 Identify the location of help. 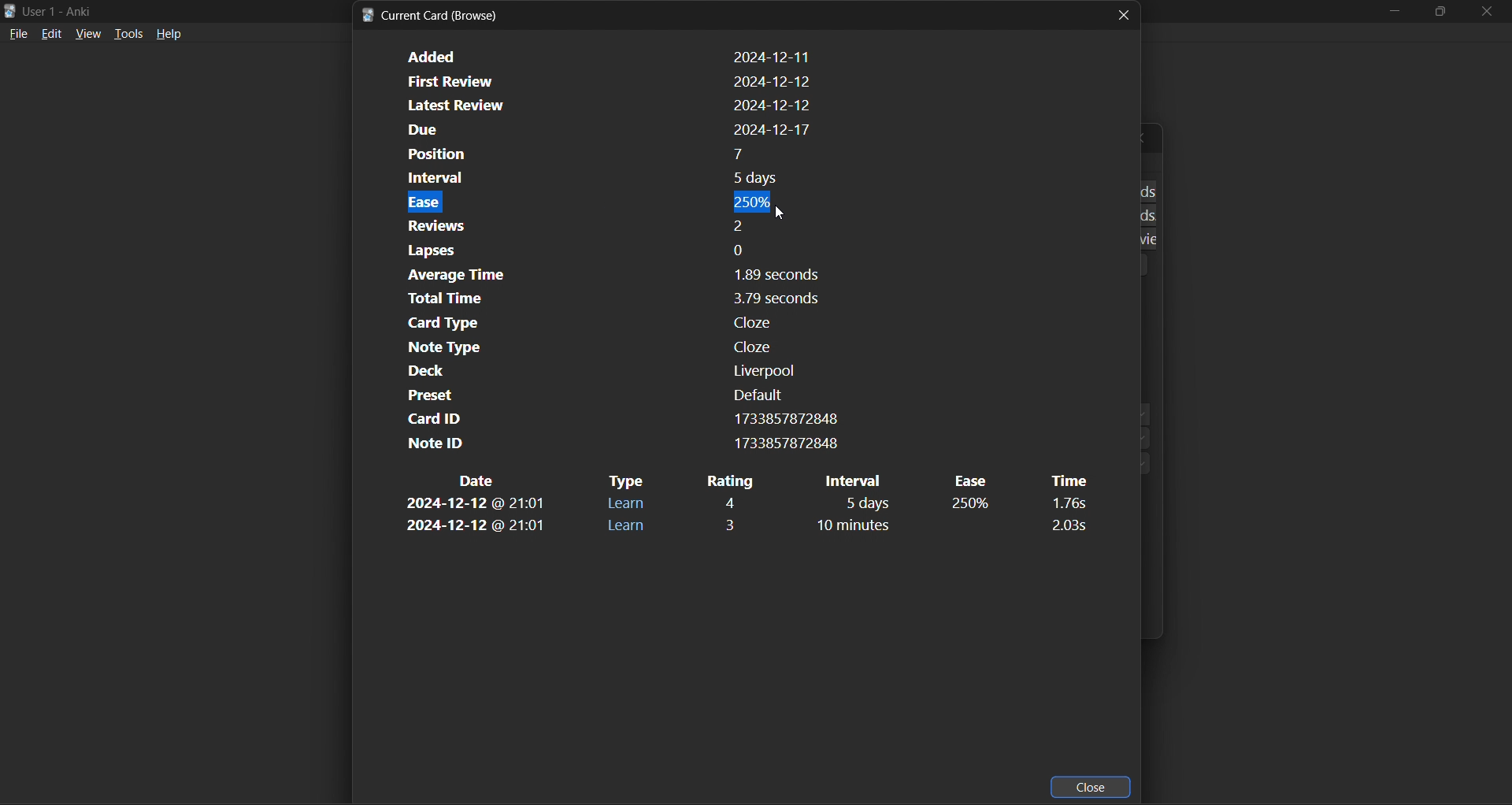
(169, 33).